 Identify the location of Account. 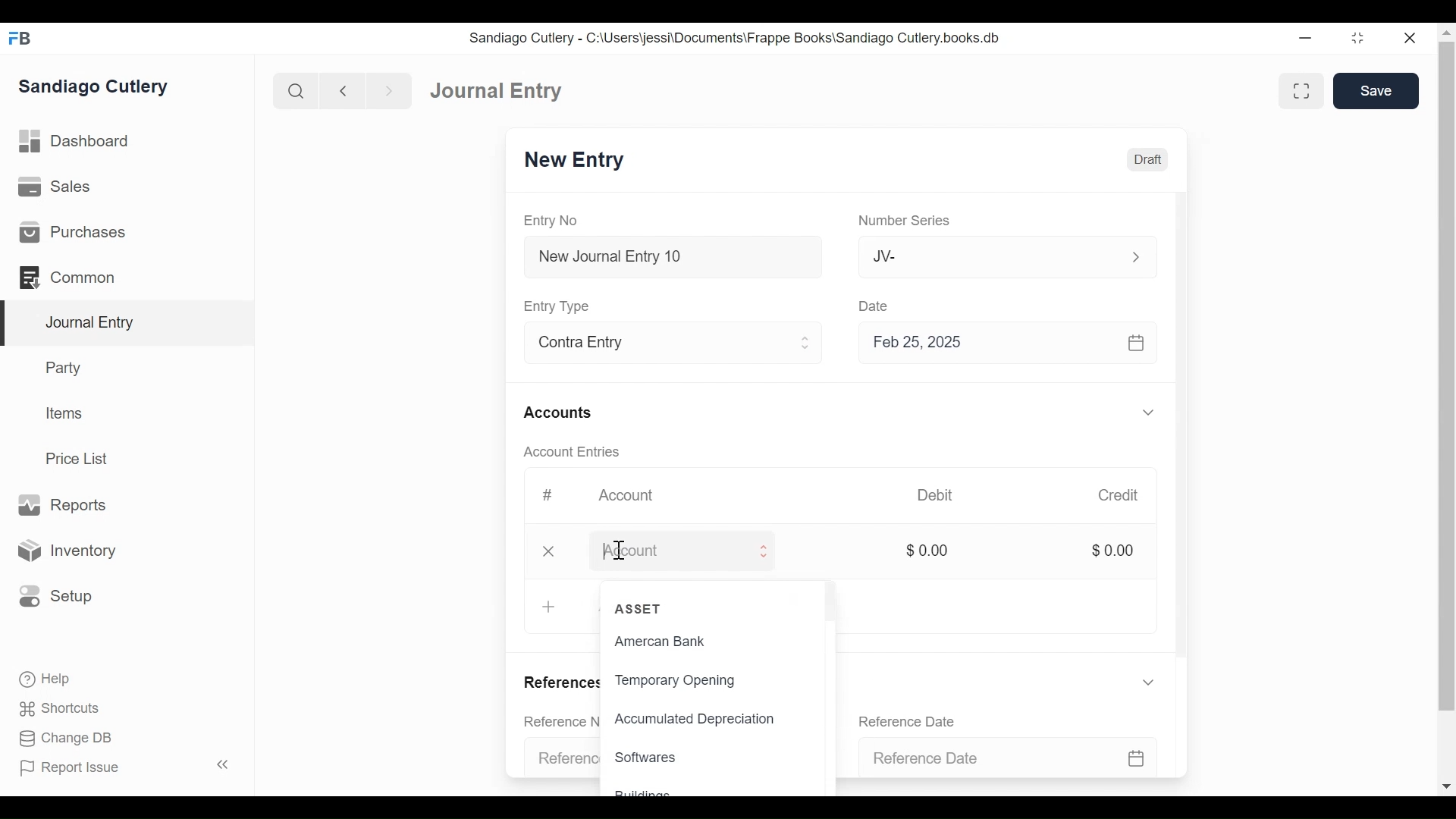
(678, 554).